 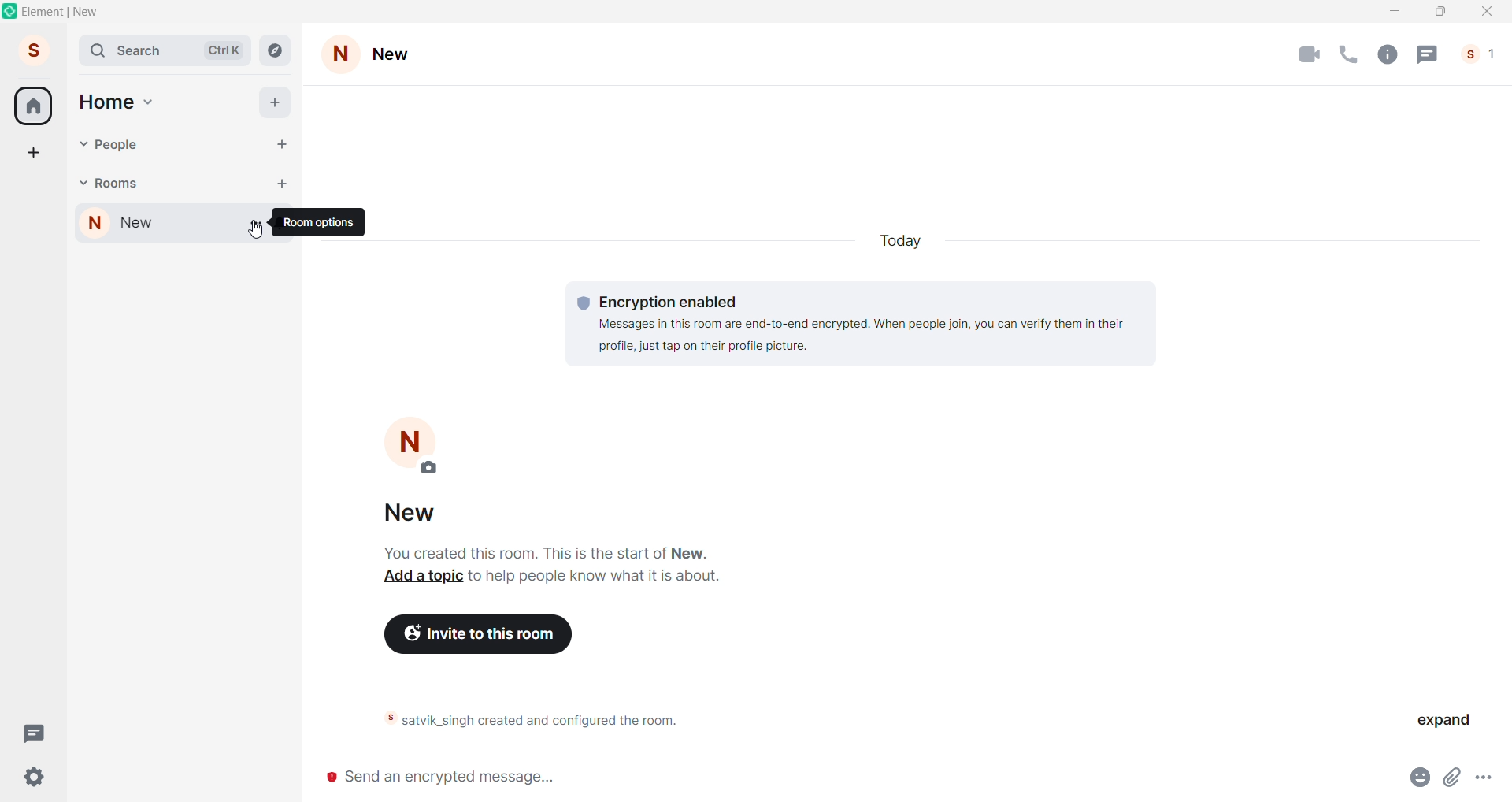 I want to click on Minimize, so click(x=1397, y=12).